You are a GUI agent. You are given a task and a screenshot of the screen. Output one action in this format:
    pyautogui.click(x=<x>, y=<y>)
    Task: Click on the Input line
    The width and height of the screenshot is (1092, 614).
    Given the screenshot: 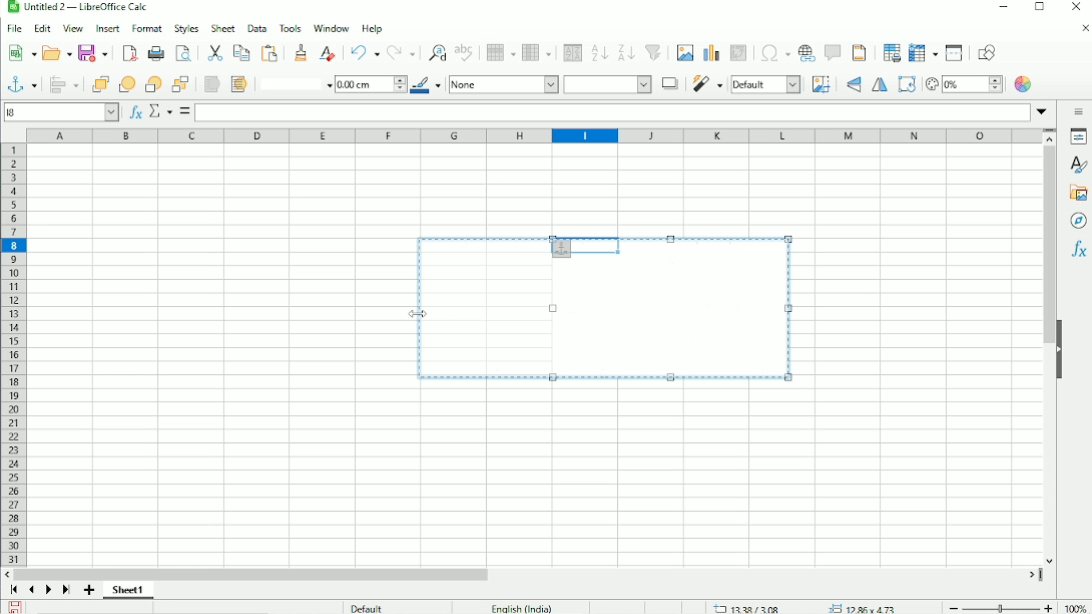 What is the action you would take?
    pyautogui.click(x=613, y=111)
    